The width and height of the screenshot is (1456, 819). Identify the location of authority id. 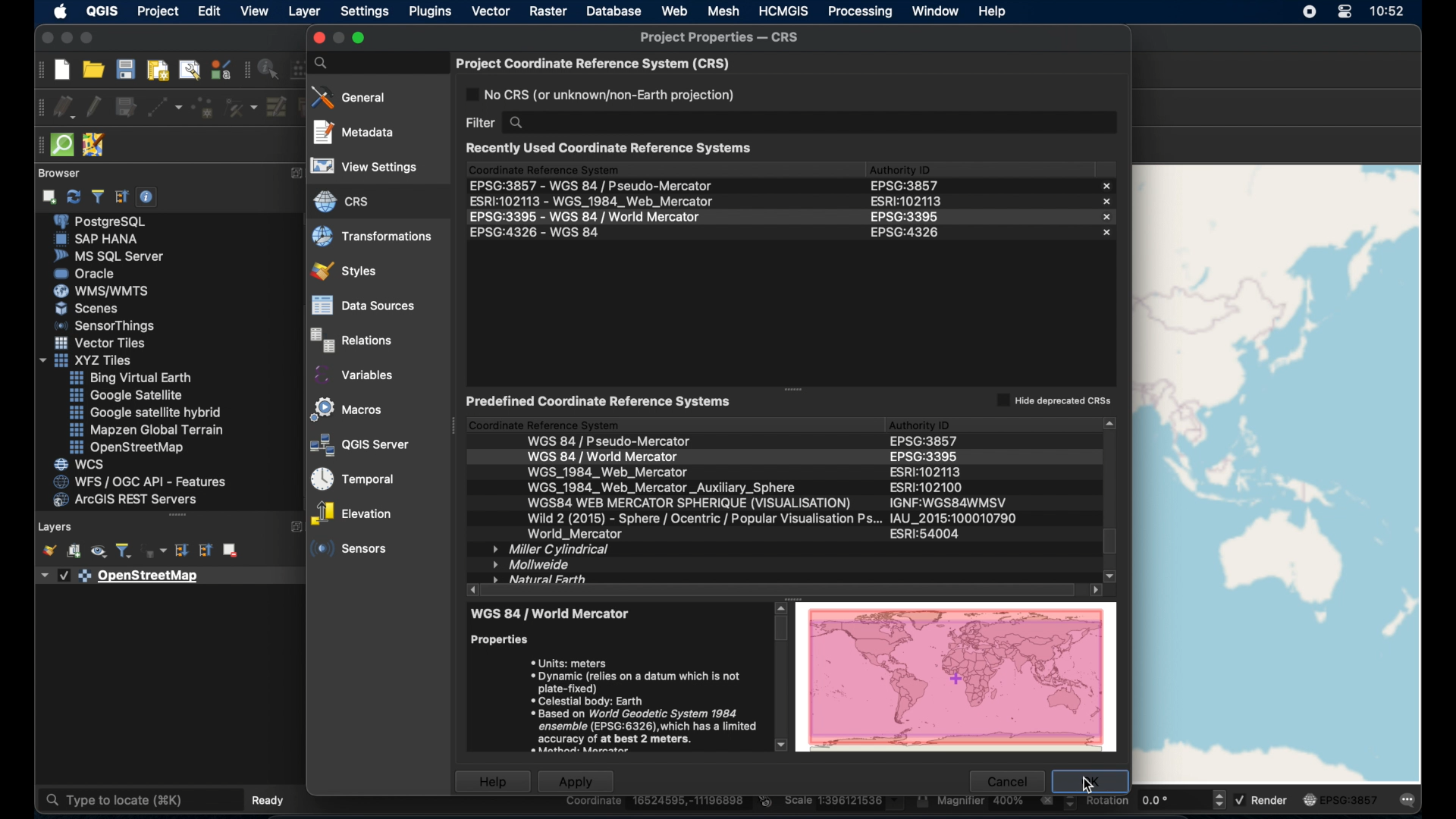
(929, 488).